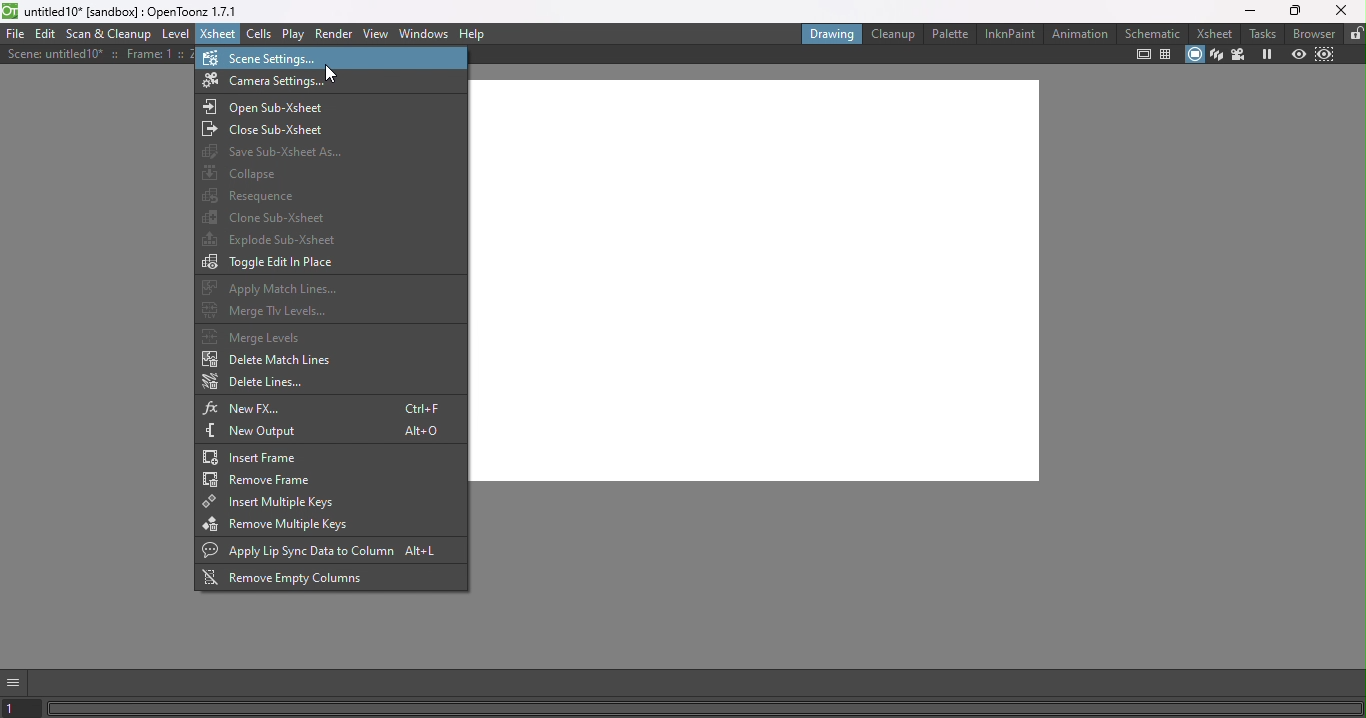 This screenshot has width=1366, height=718. I want to click on Horizontal scroll bar, so click(705, 708).